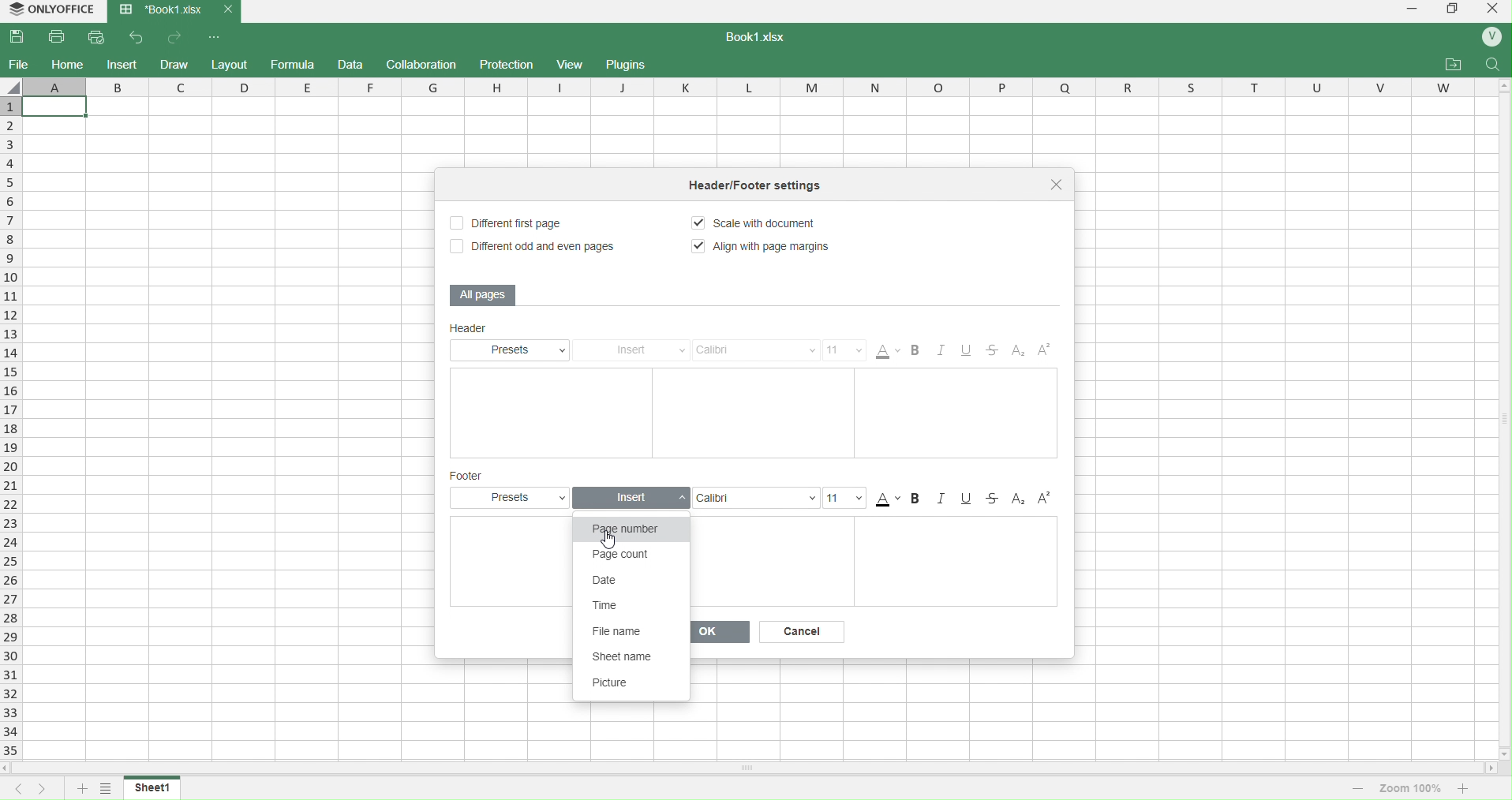  Describe the element at coordinates (637, 350) in the screenshot. I see `Insert` at that location.